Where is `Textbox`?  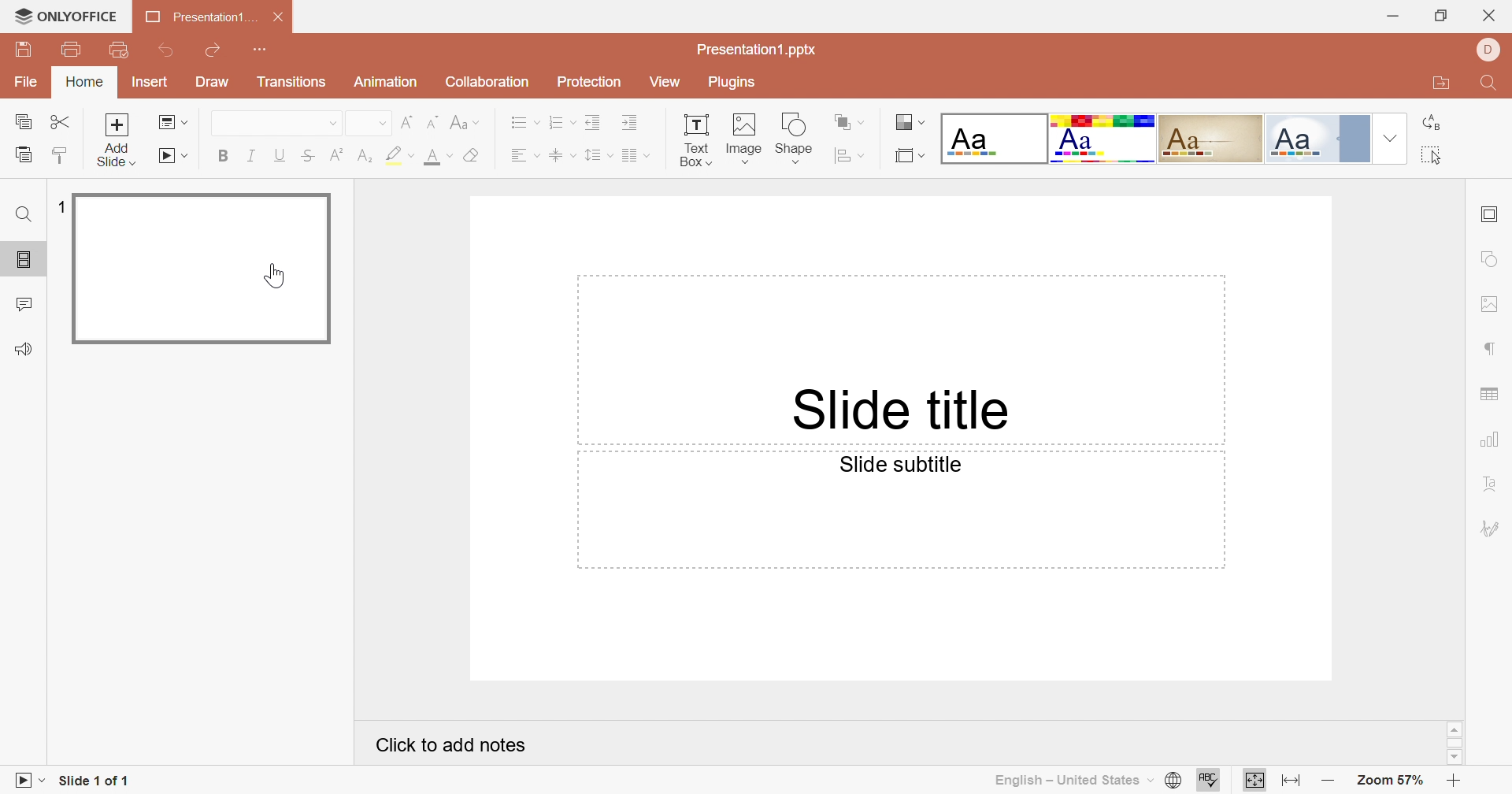 Textbox is located at coordinates (697, 141).